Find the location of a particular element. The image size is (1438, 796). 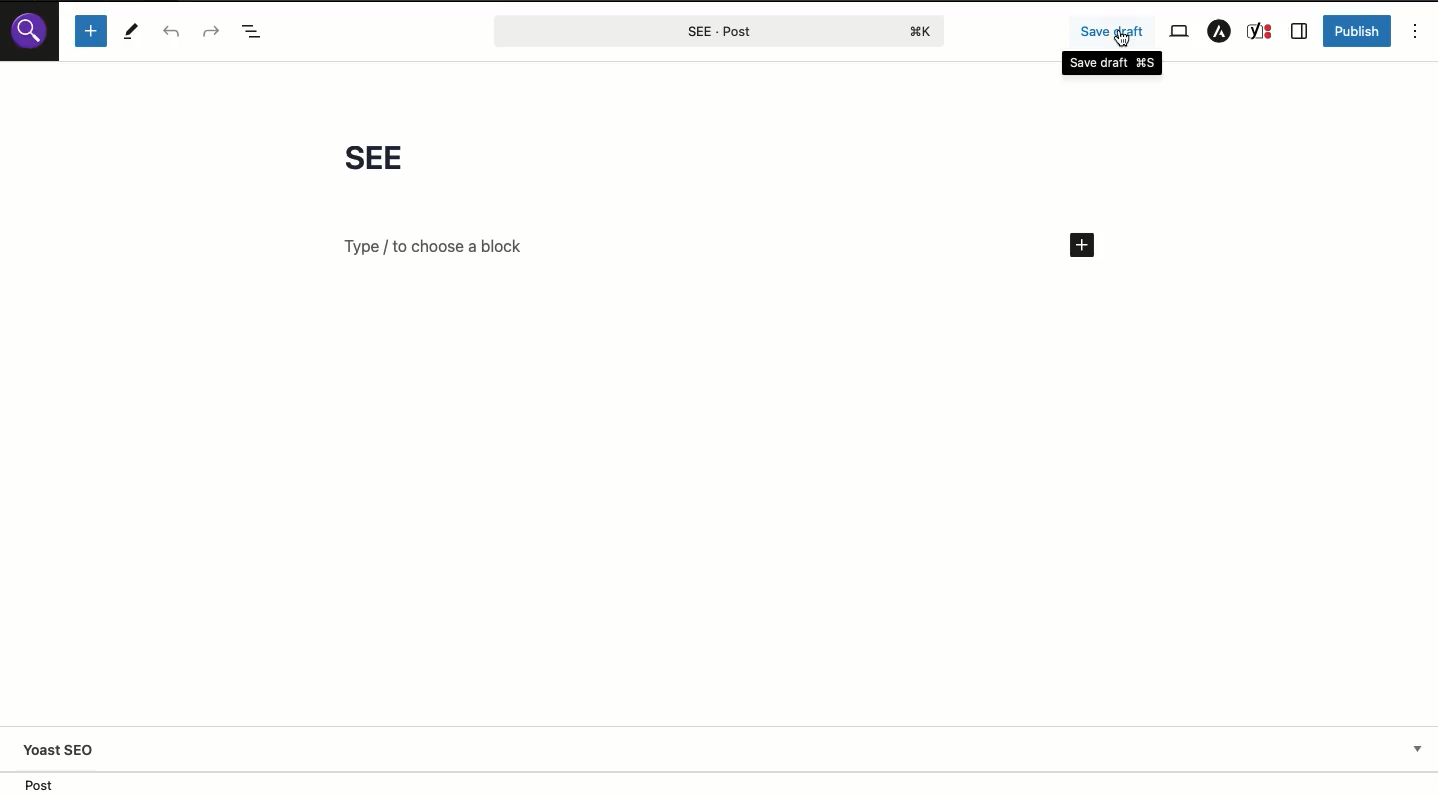

Yoast SEO is located at coordinates (724, 746).